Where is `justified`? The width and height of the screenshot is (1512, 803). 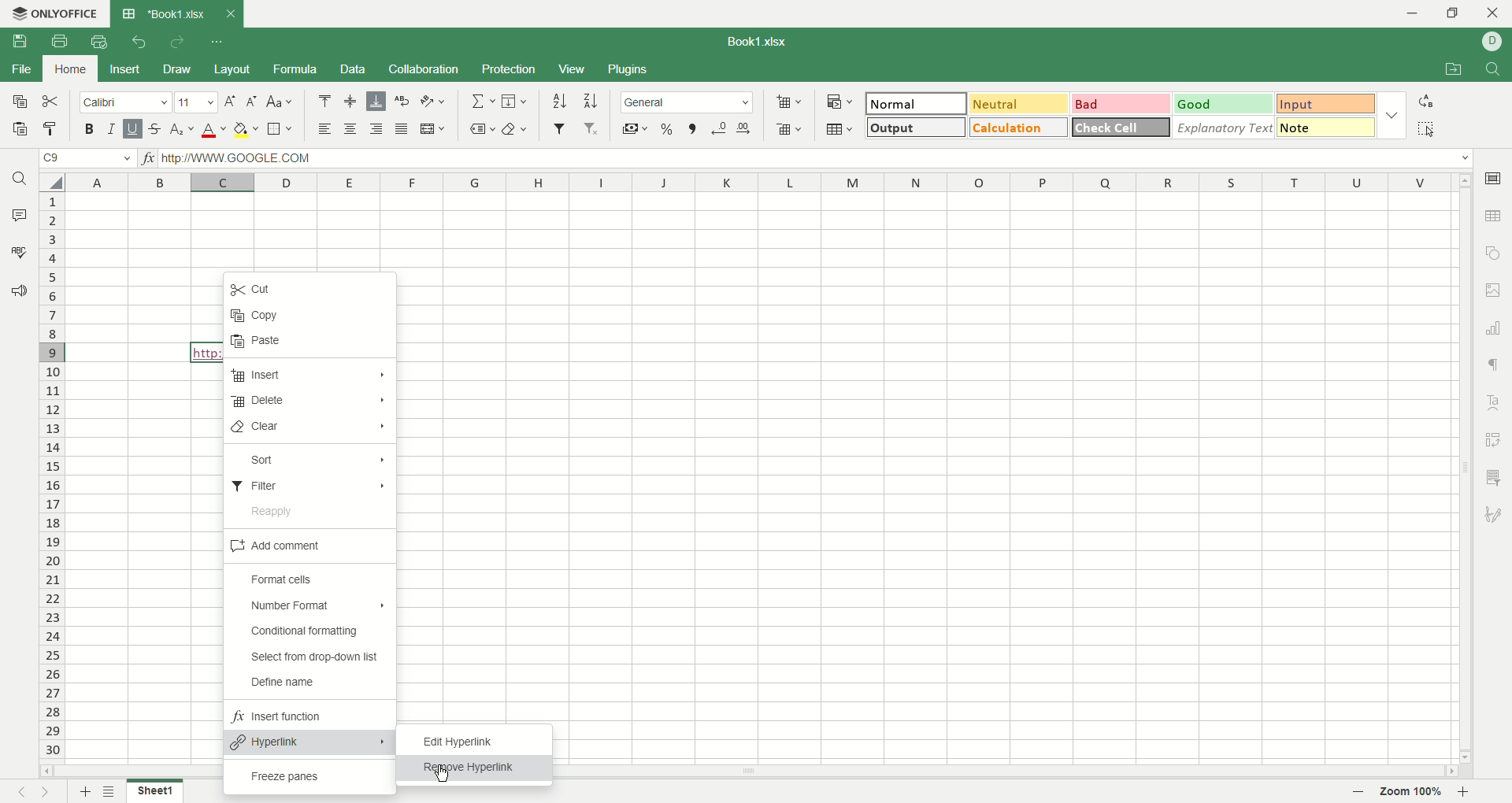
justified is located at coordinates (402, 129).